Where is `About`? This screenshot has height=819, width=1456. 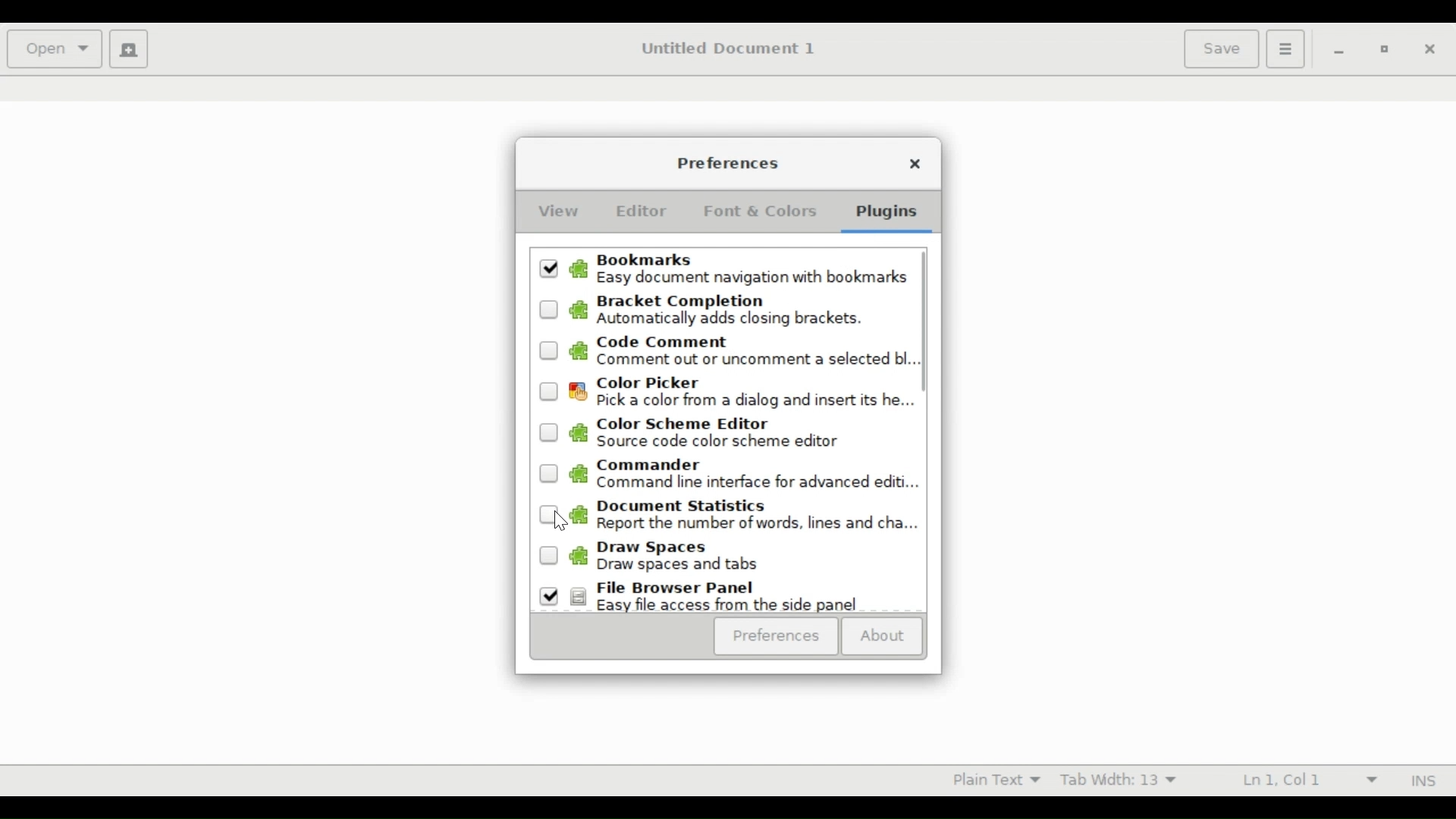 About is located at coordinates (885, 639).